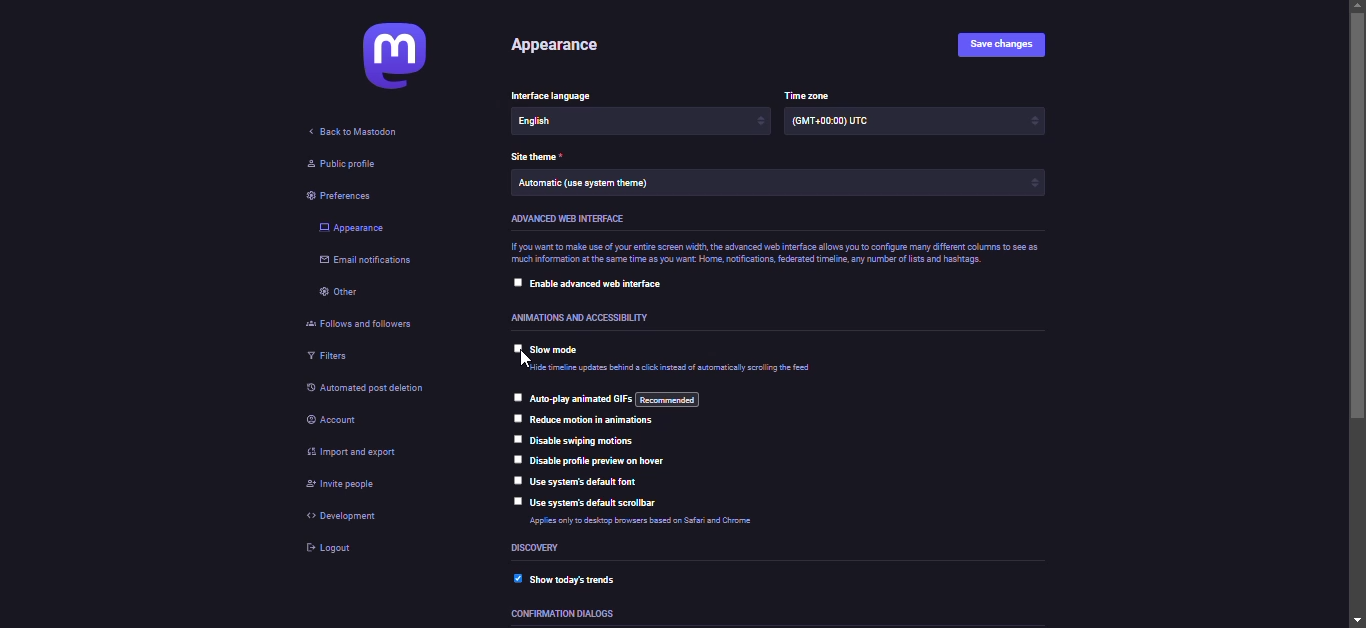 This screenshot has width=1366, height=628. Describe the element at coordinates (756, 254) in the screenshot. I see `if you want to make use of your entire screen  width, the advanced web interface allows you to configure many different columns to see as much information at the same time as you want Home, notifications, federated timeline, any number of lists and hashtags` at that location.